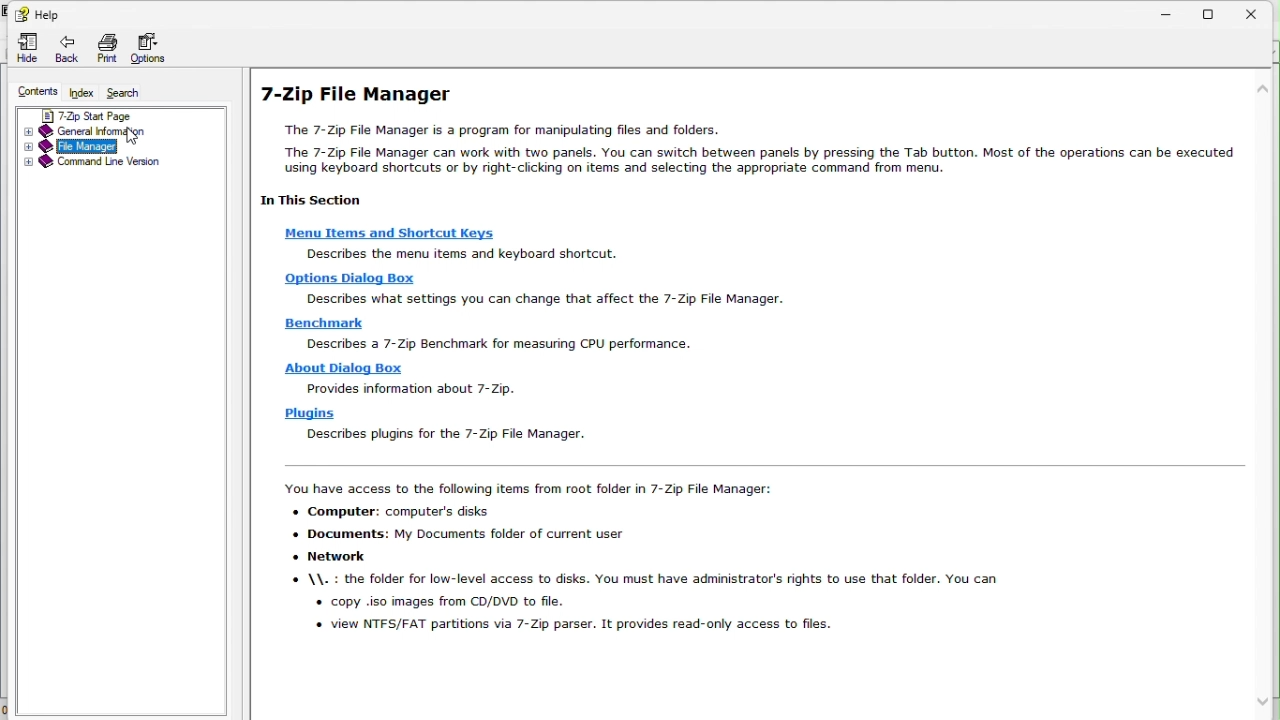 The width and height of the screenshot is (1280, 720). I want to click on File manager, so click(88, 147).